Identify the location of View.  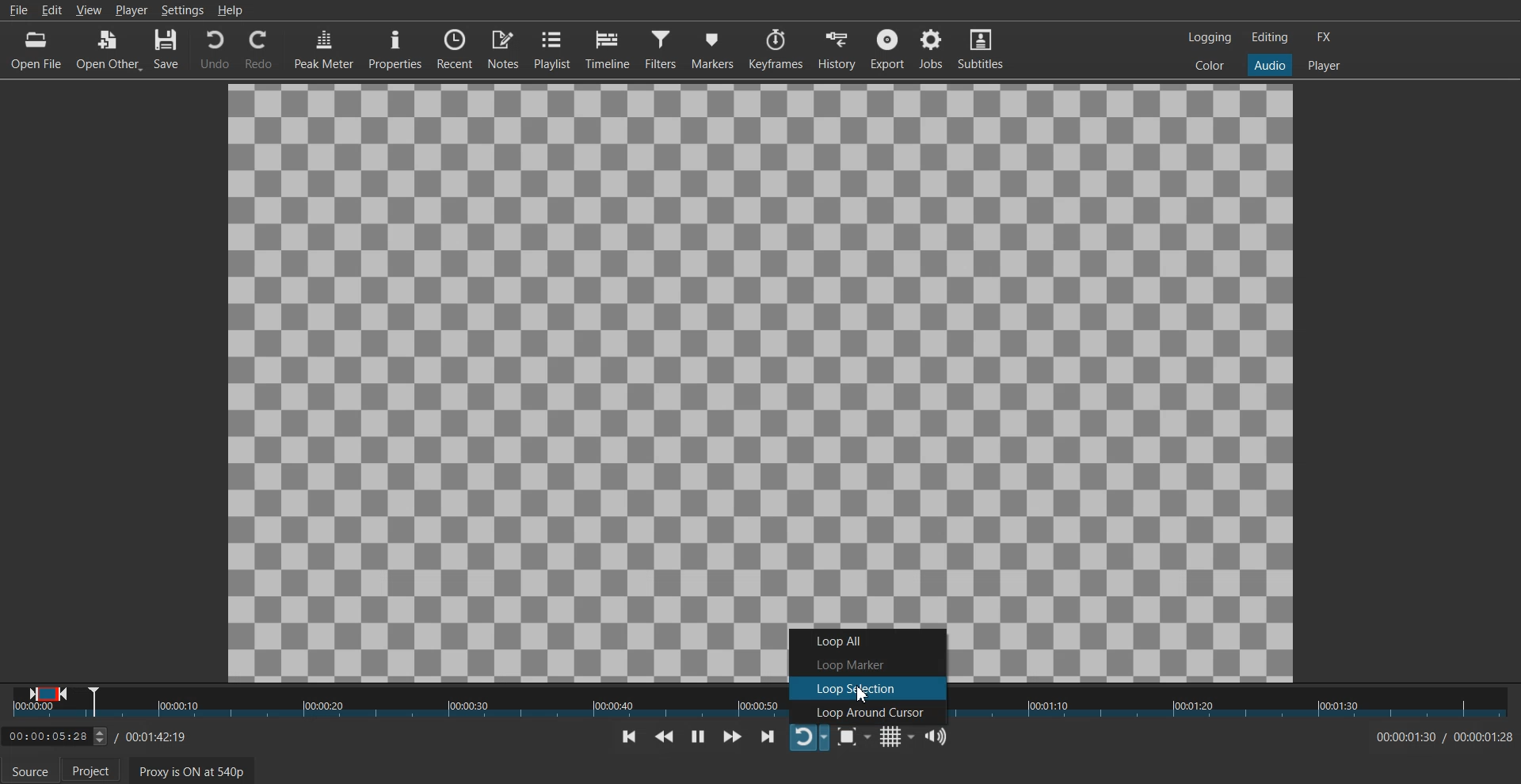
(89, 10).